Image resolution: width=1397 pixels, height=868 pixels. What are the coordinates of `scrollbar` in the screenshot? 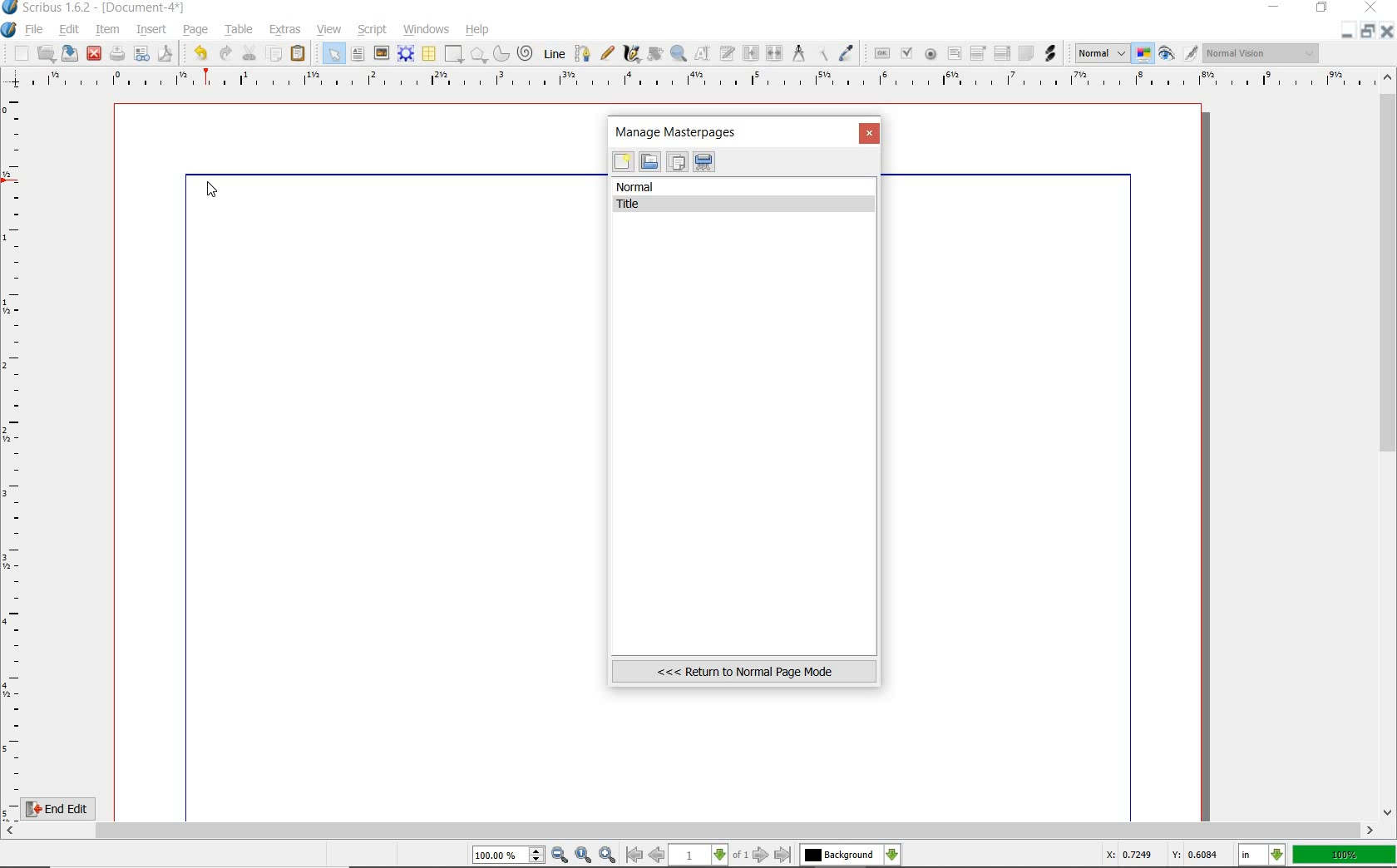 It's located at (1389, 443).